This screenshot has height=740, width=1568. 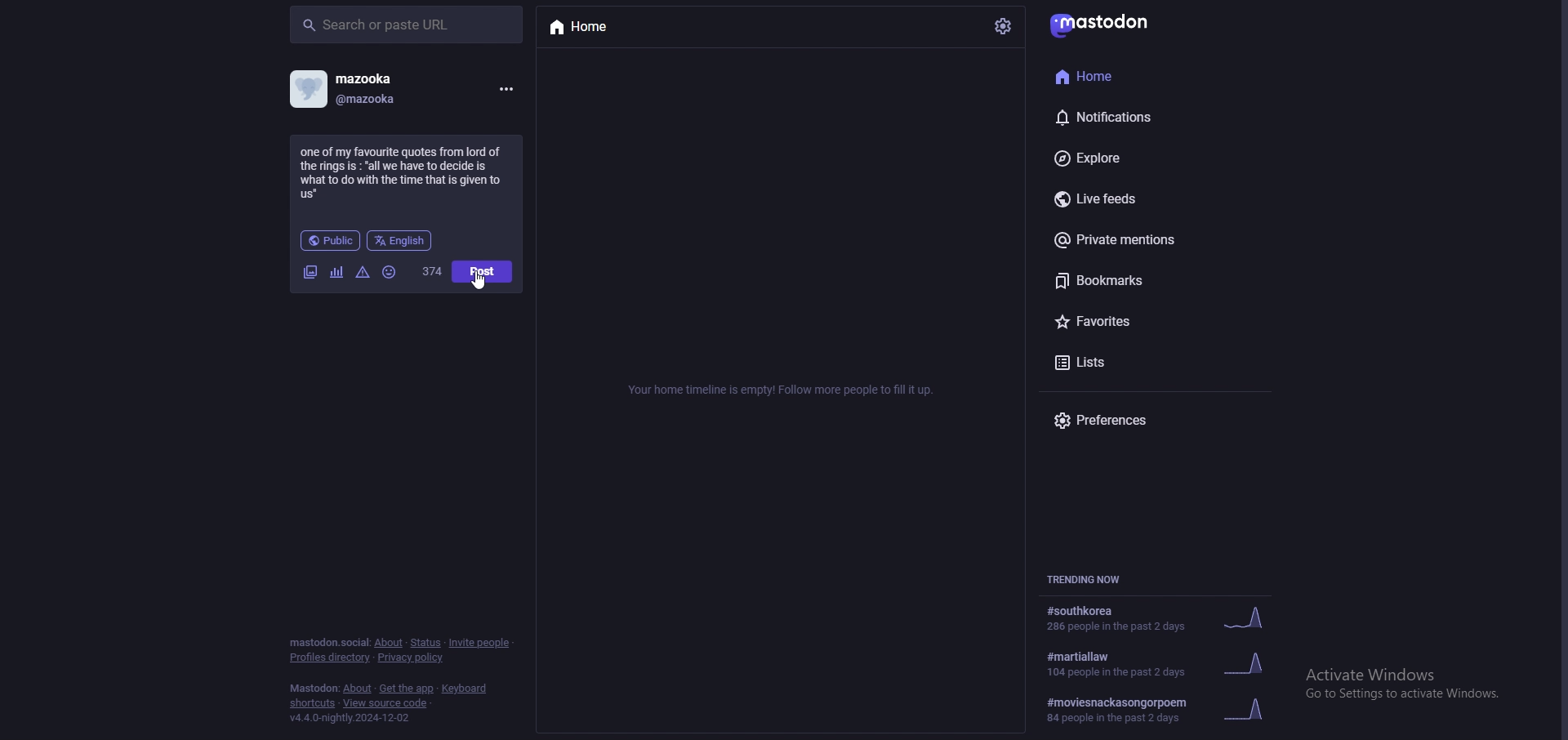 I want to click on word limit, so click(x=431, y=271).